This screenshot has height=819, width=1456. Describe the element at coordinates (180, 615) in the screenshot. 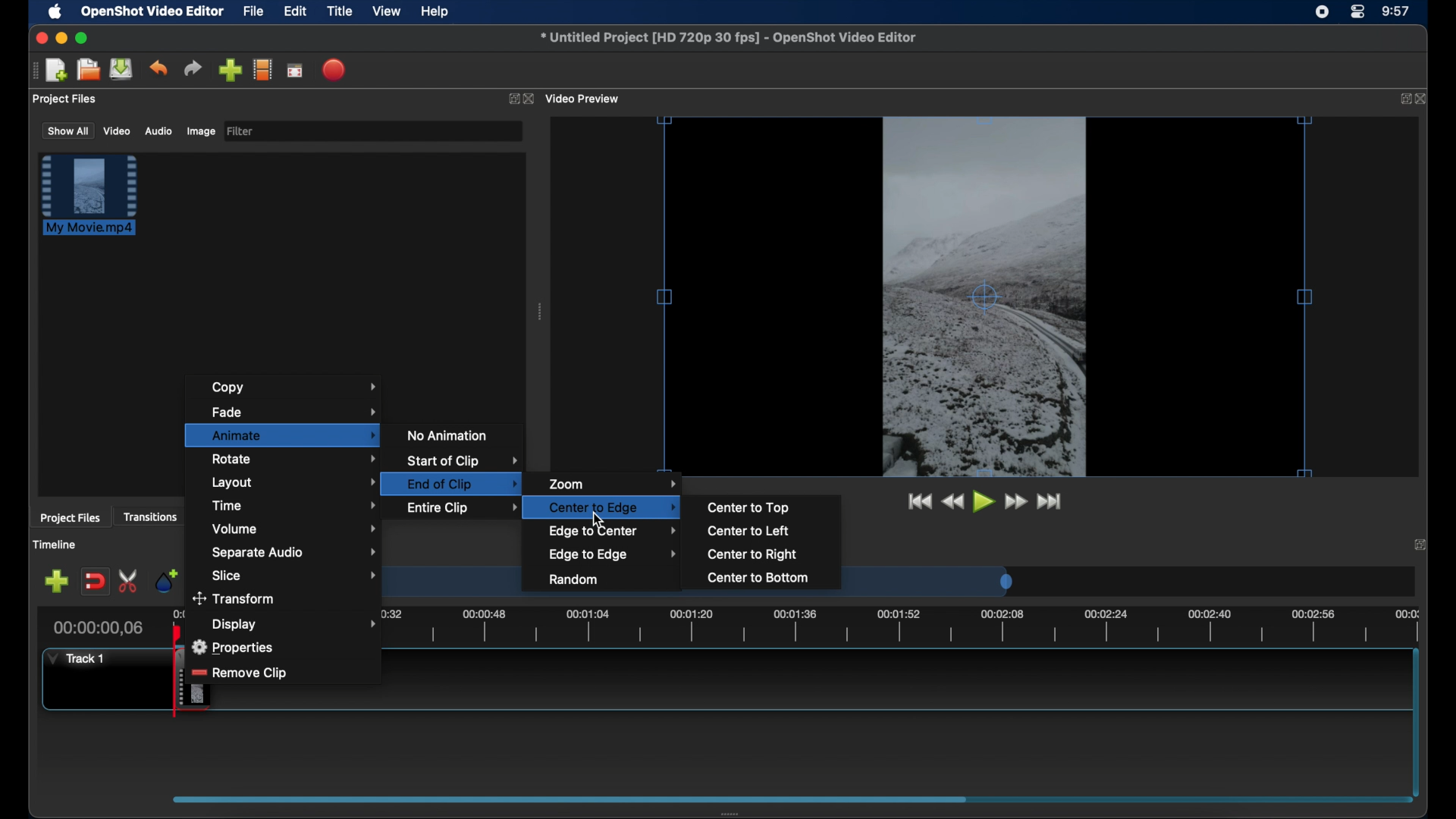

I see `0.00` at that location.